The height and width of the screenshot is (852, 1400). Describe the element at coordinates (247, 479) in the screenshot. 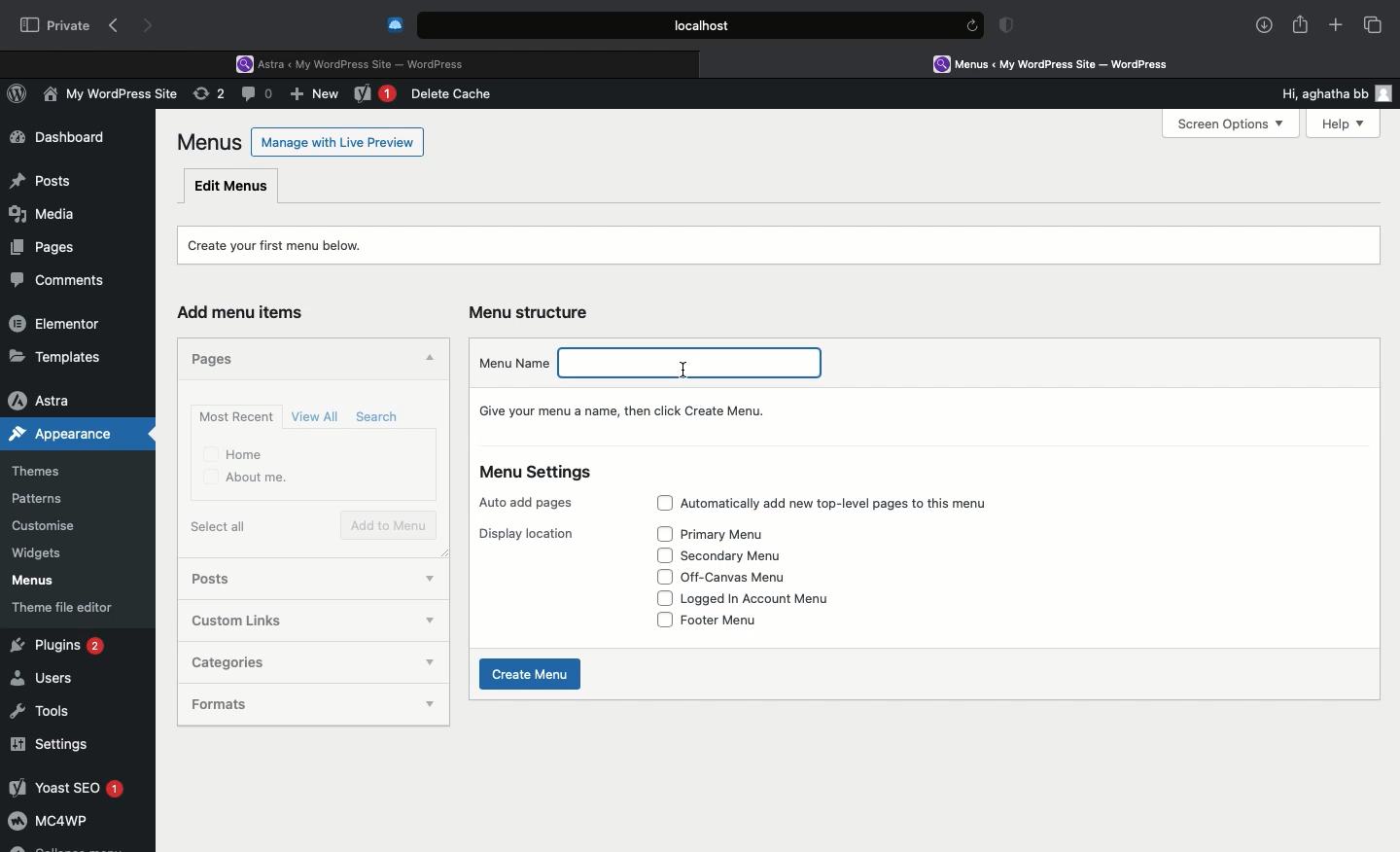

I see `About me` at that location.